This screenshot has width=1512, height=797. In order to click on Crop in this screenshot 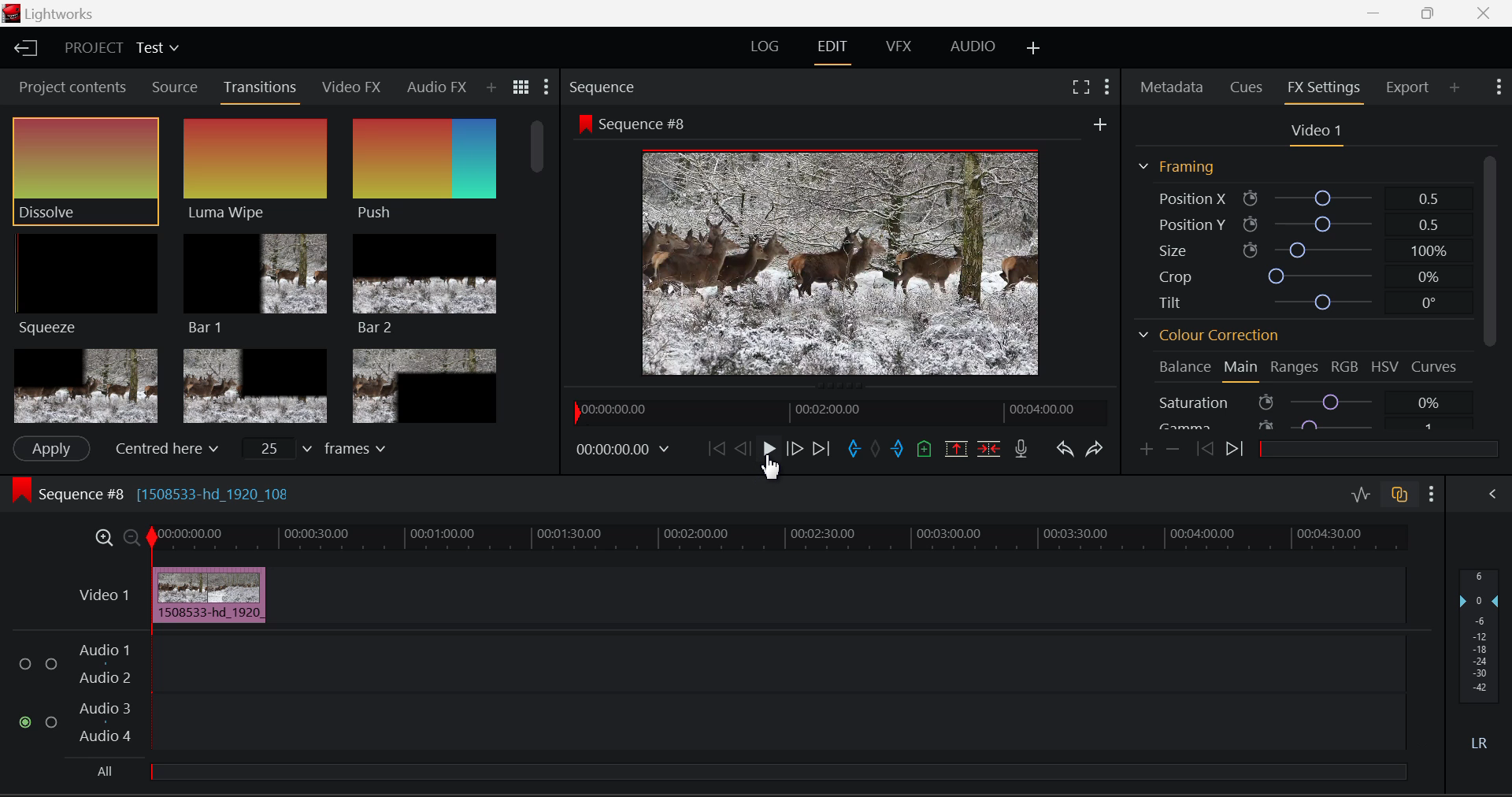, I will do `click(1295, 273)`.